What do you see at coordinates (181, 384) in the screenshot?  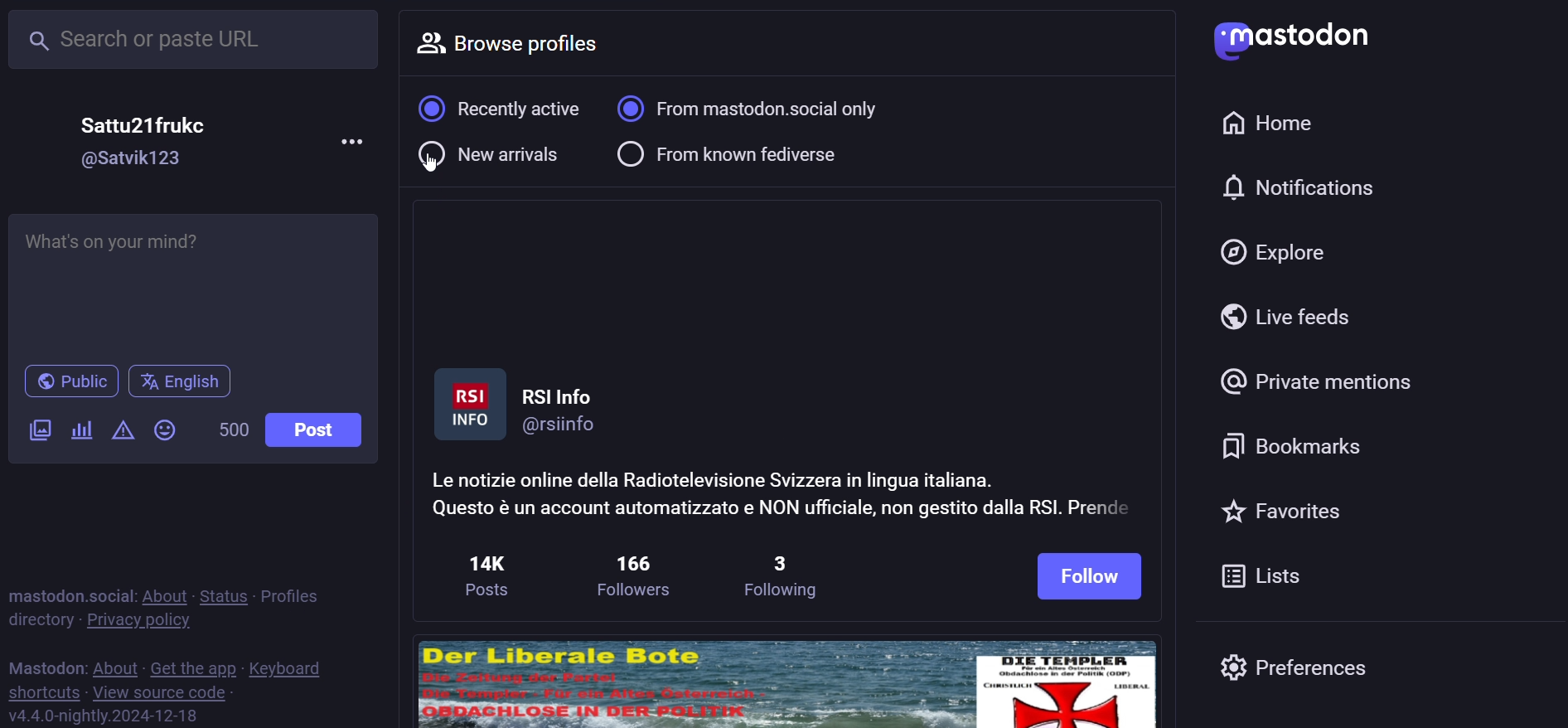 I see `english` at bounding box center [181, 384].